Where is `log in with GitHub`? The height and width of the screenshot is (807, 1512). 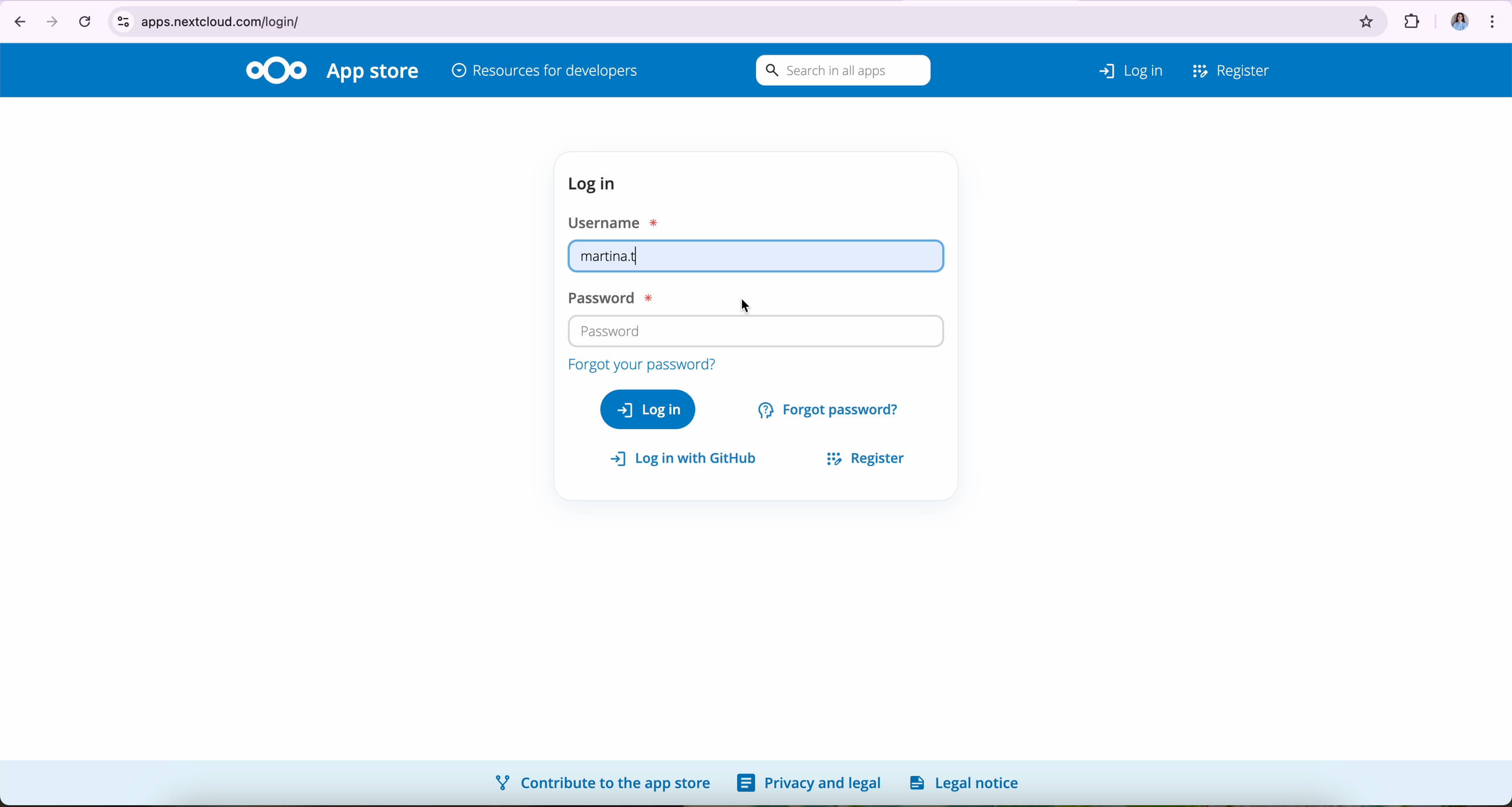 log in with GitHub is located at coordinates (689, 459).